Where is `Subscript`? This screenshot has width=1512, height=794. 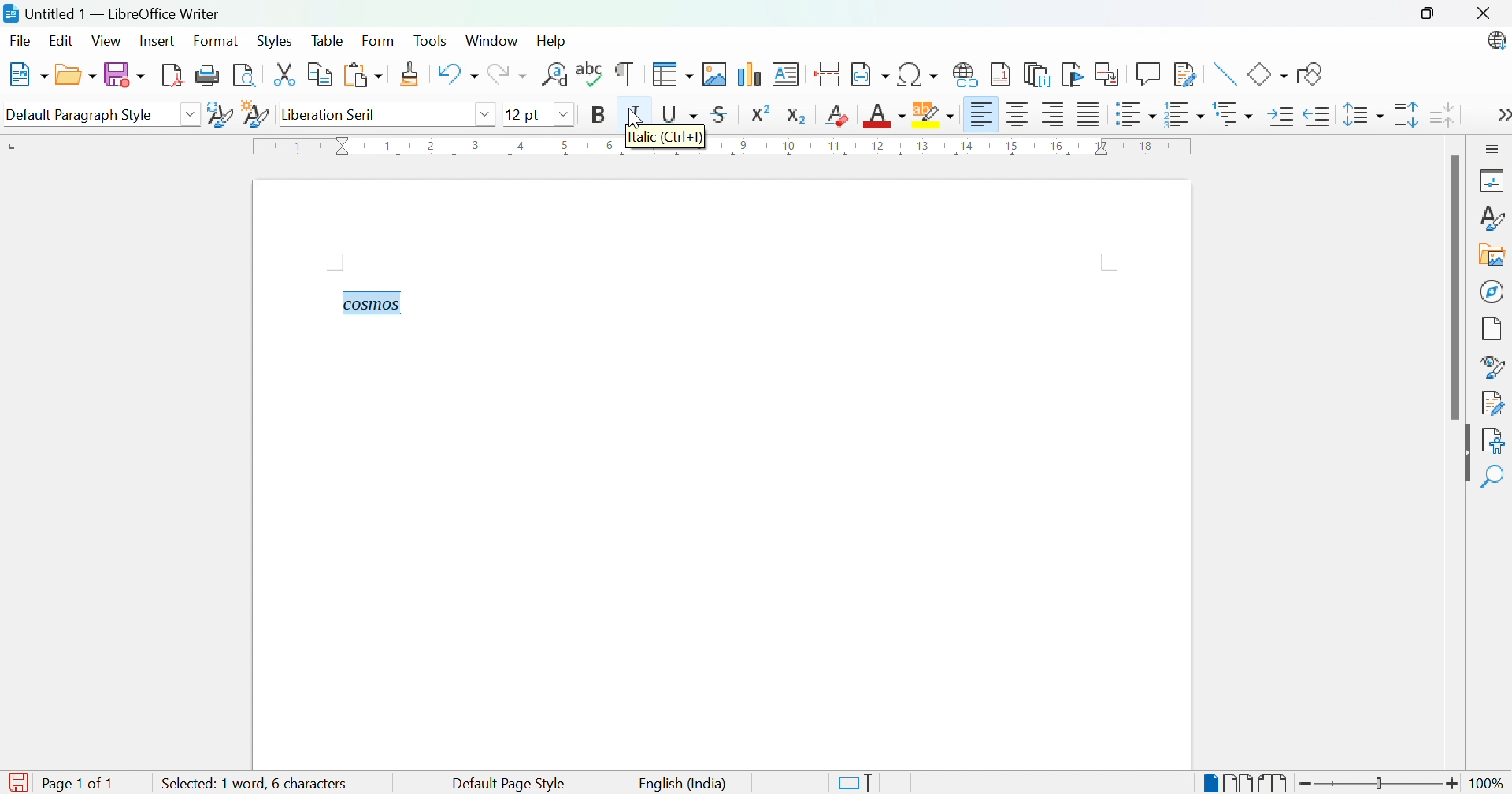 Subscript is located at coordinates (798, 117).